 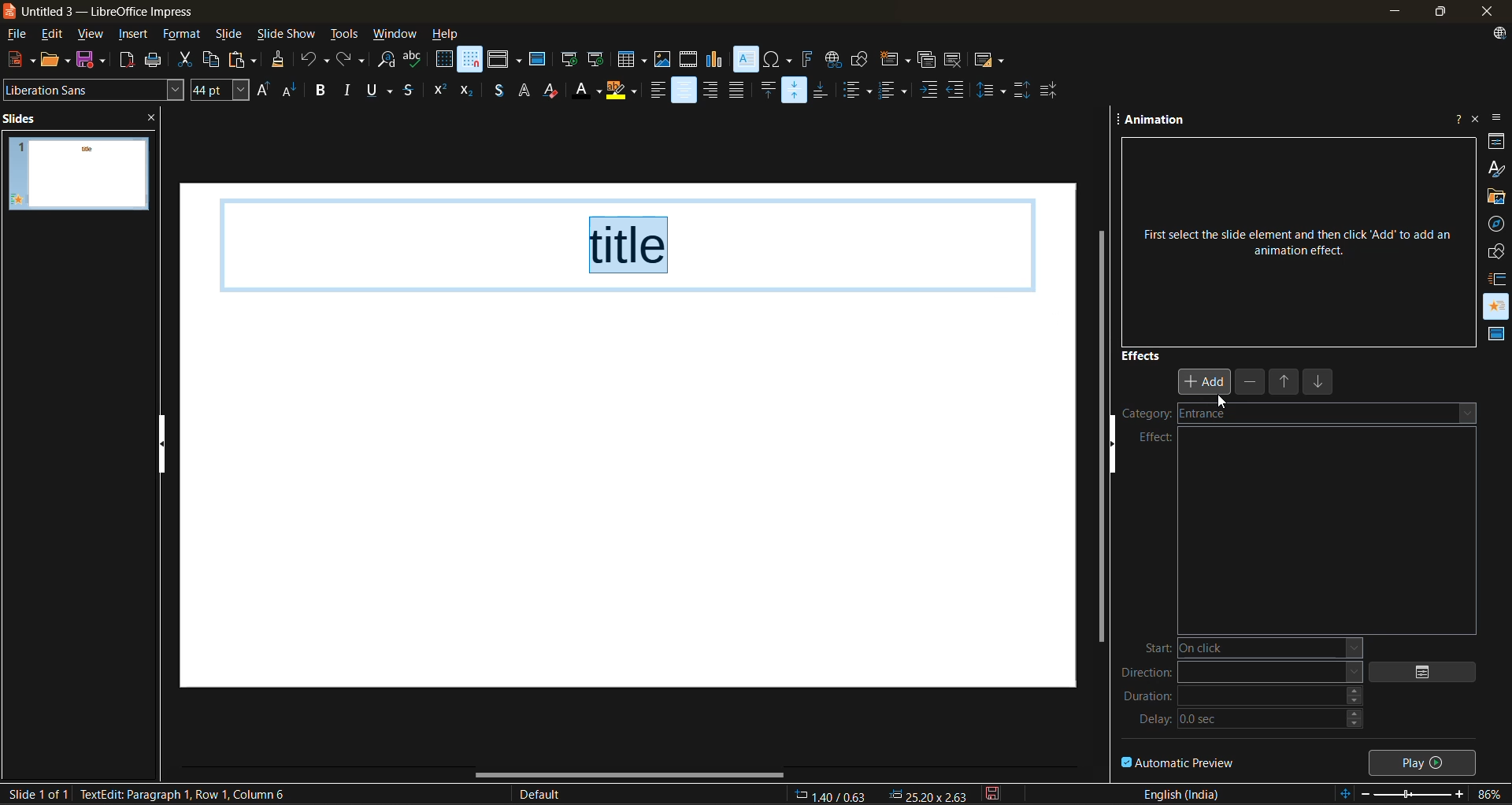 I want to click on edit, so click(x=55, y=34).